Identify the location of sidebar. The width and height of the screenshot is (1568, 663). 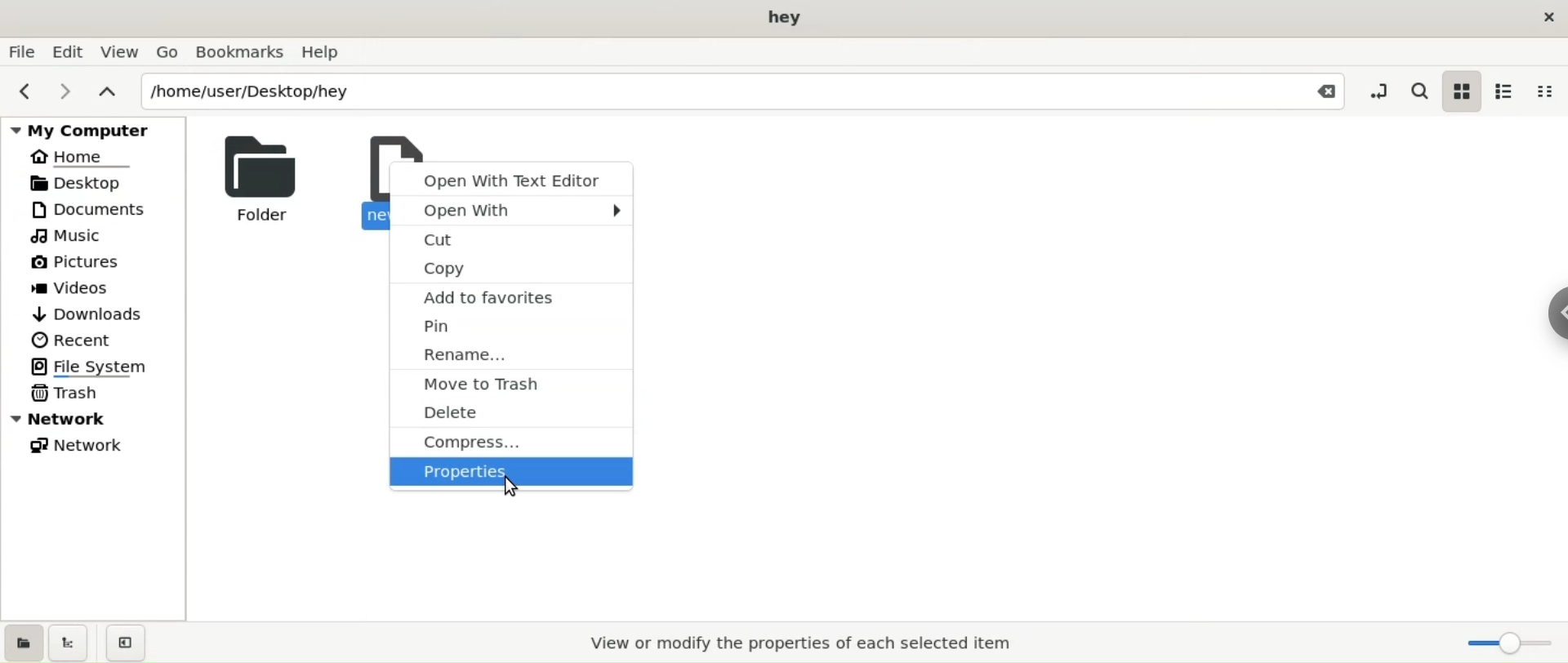
(1553, 309).